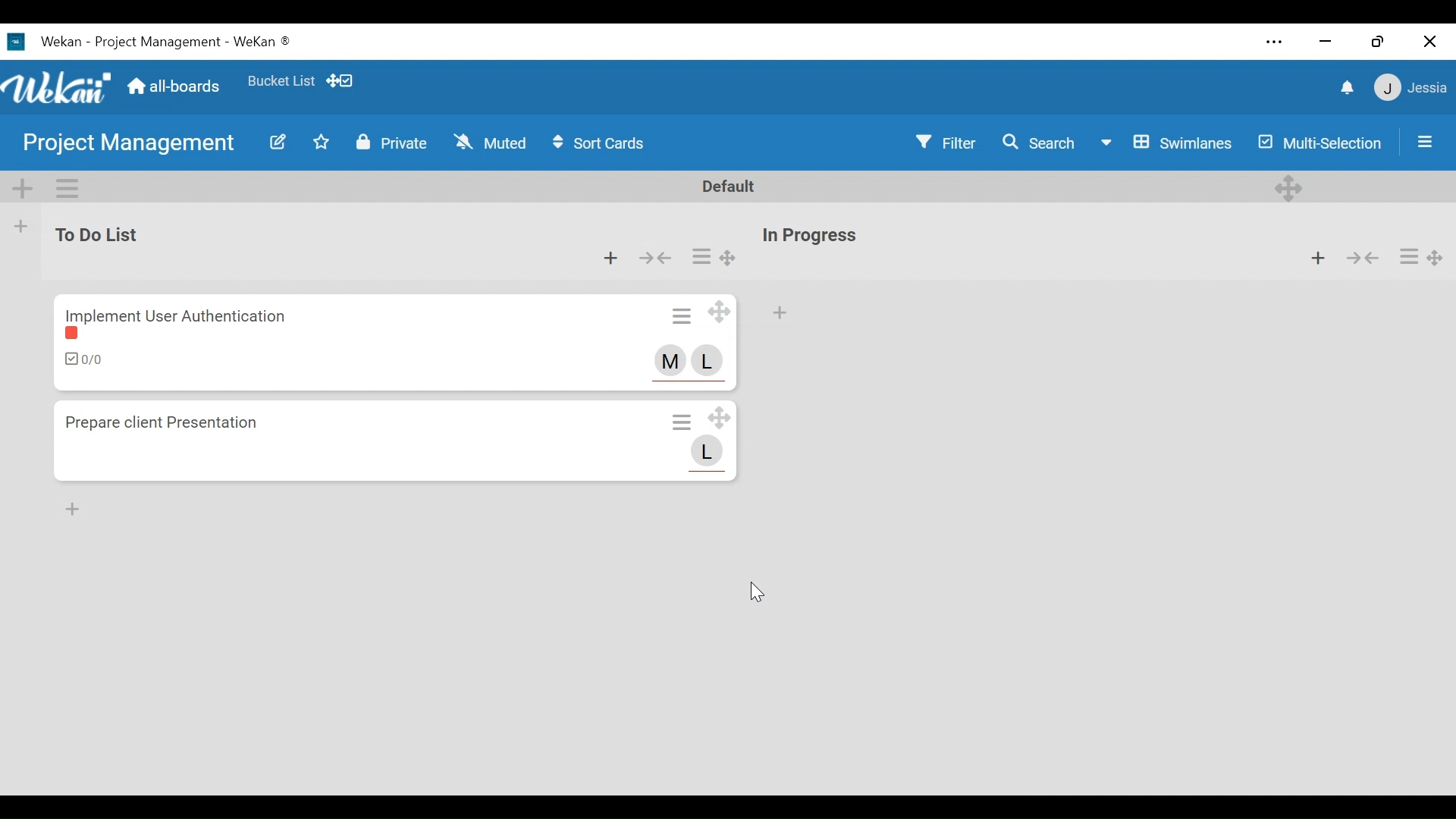 The width and height of the screenshot is (1456, 819). I want to click on Desktop drag handle, so click(730, 258).